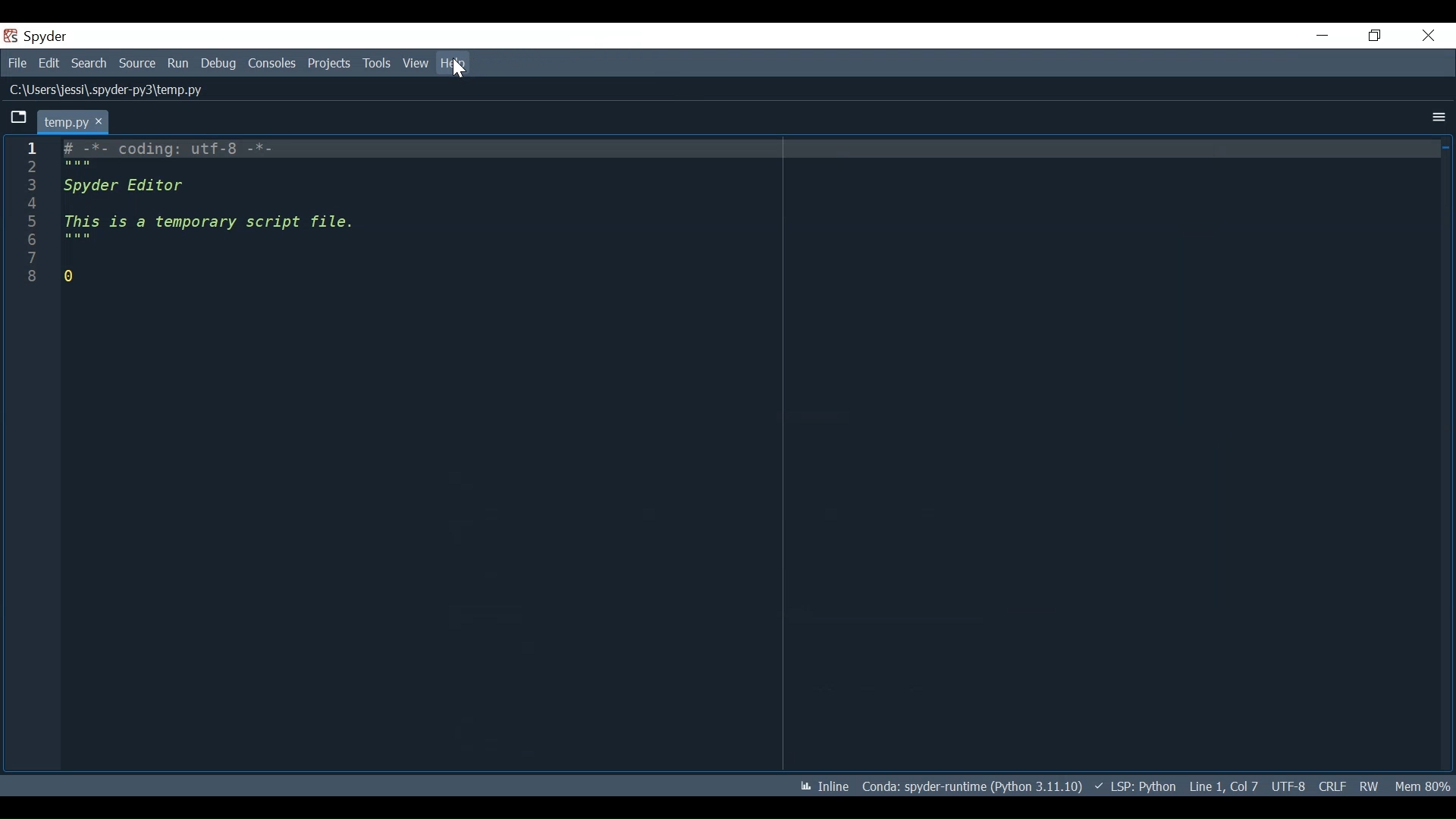  What do you see at coordinates (458, 67) in the screenshot?
I see `Cursor` at bounding box center [458, 67].